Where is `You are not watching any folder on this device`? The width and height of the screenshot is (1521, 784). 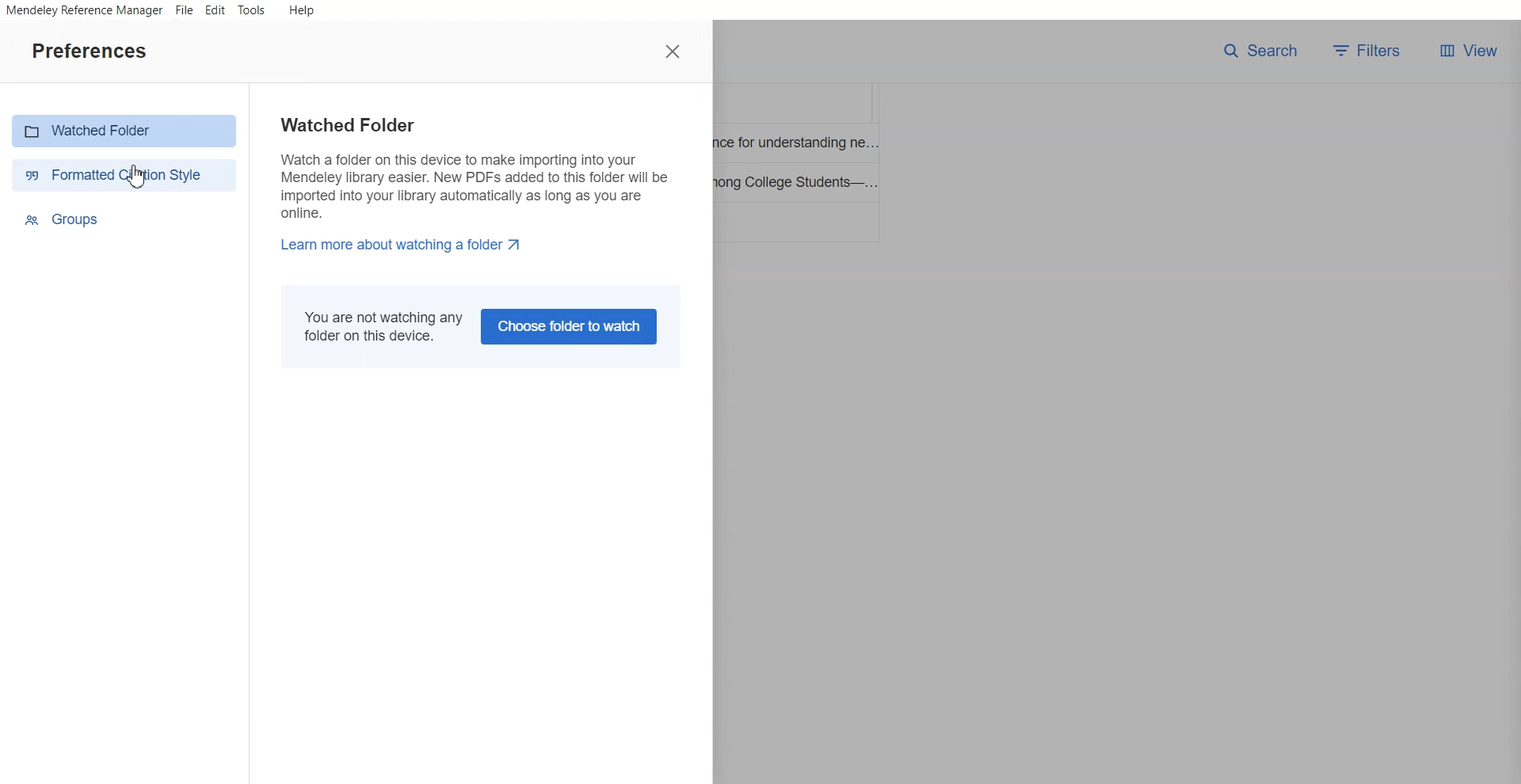 You are not watching any folder on this device is located at coordinates (379, 326).